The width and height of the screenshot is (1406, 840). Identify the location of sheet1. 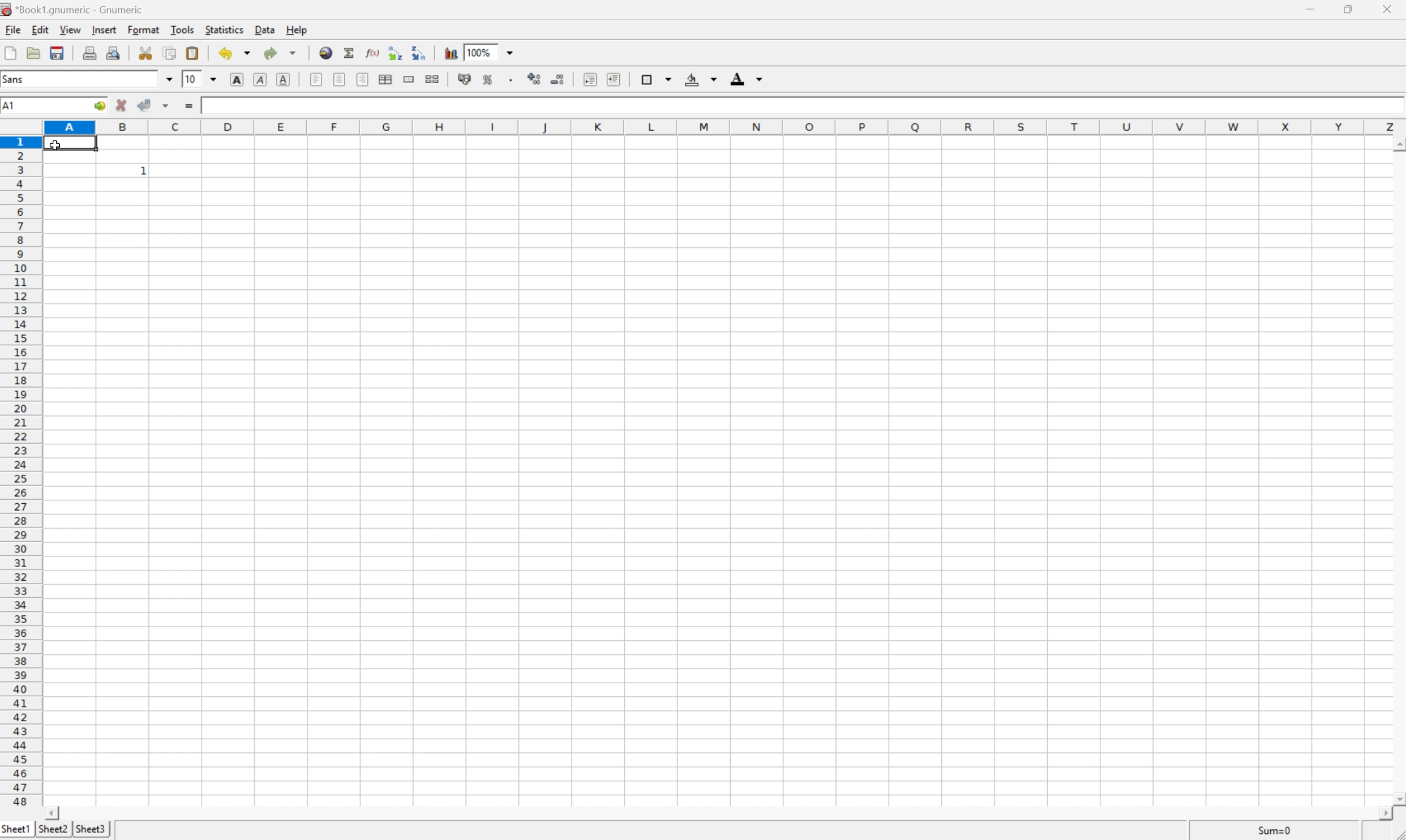
(16, 832).